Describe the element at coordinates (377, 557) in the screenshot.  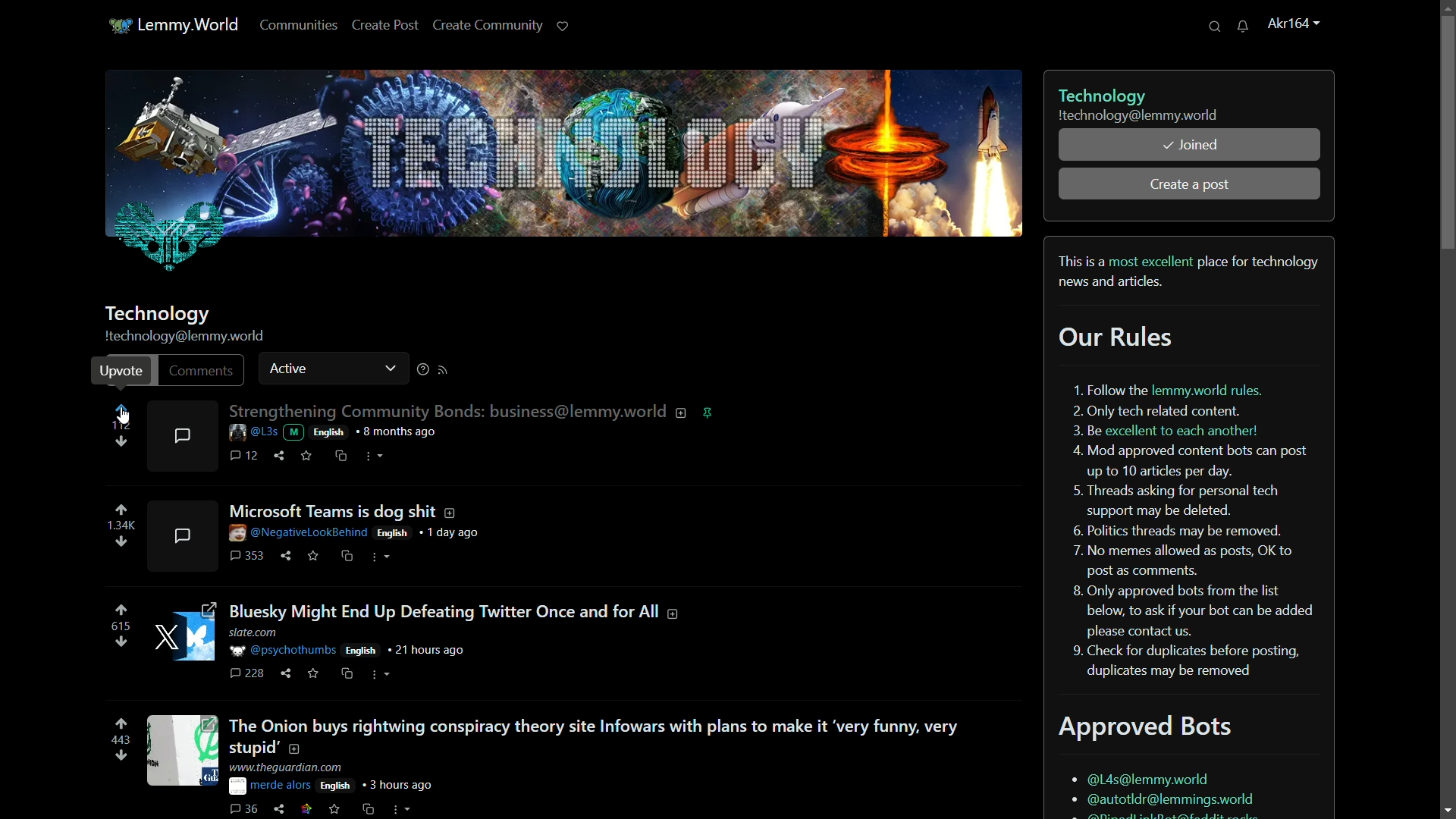
I see `more` at that location.